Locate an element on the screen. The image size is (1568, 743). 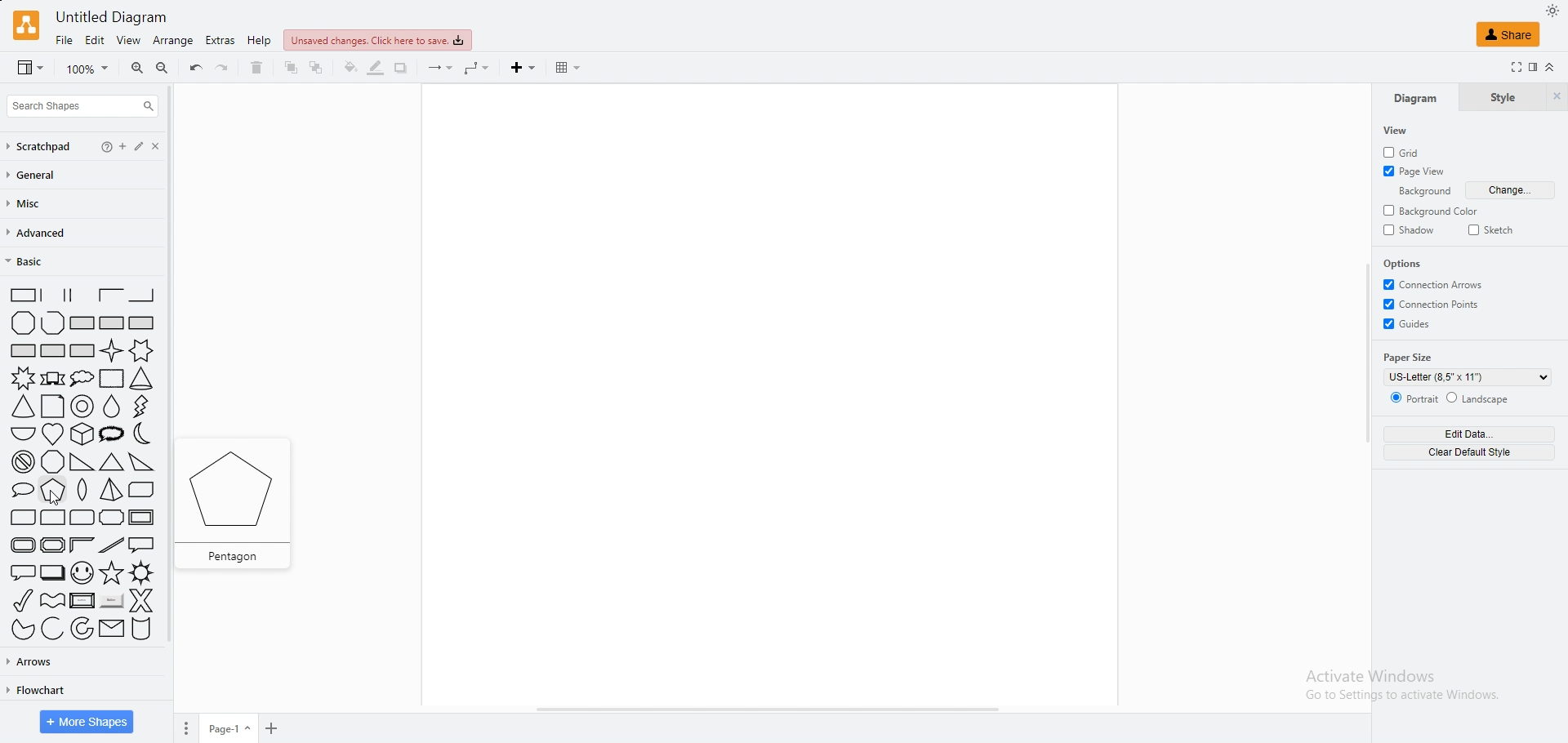
misc is located at coordinates (32, 204).